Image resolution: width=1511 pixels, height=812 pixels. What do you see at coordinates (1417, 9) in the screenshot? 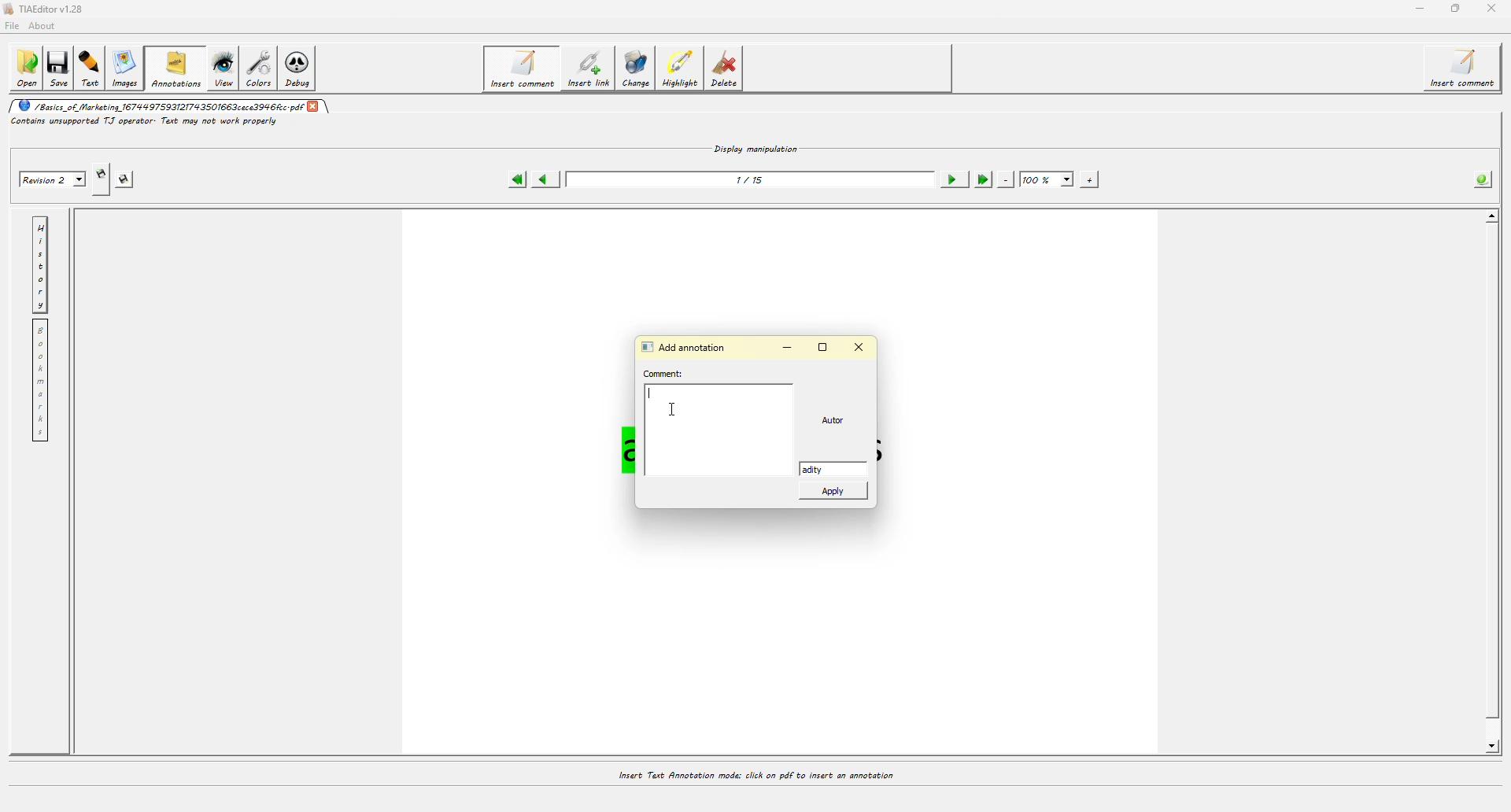
I see `minimize` at bounding box center [1417, 9].